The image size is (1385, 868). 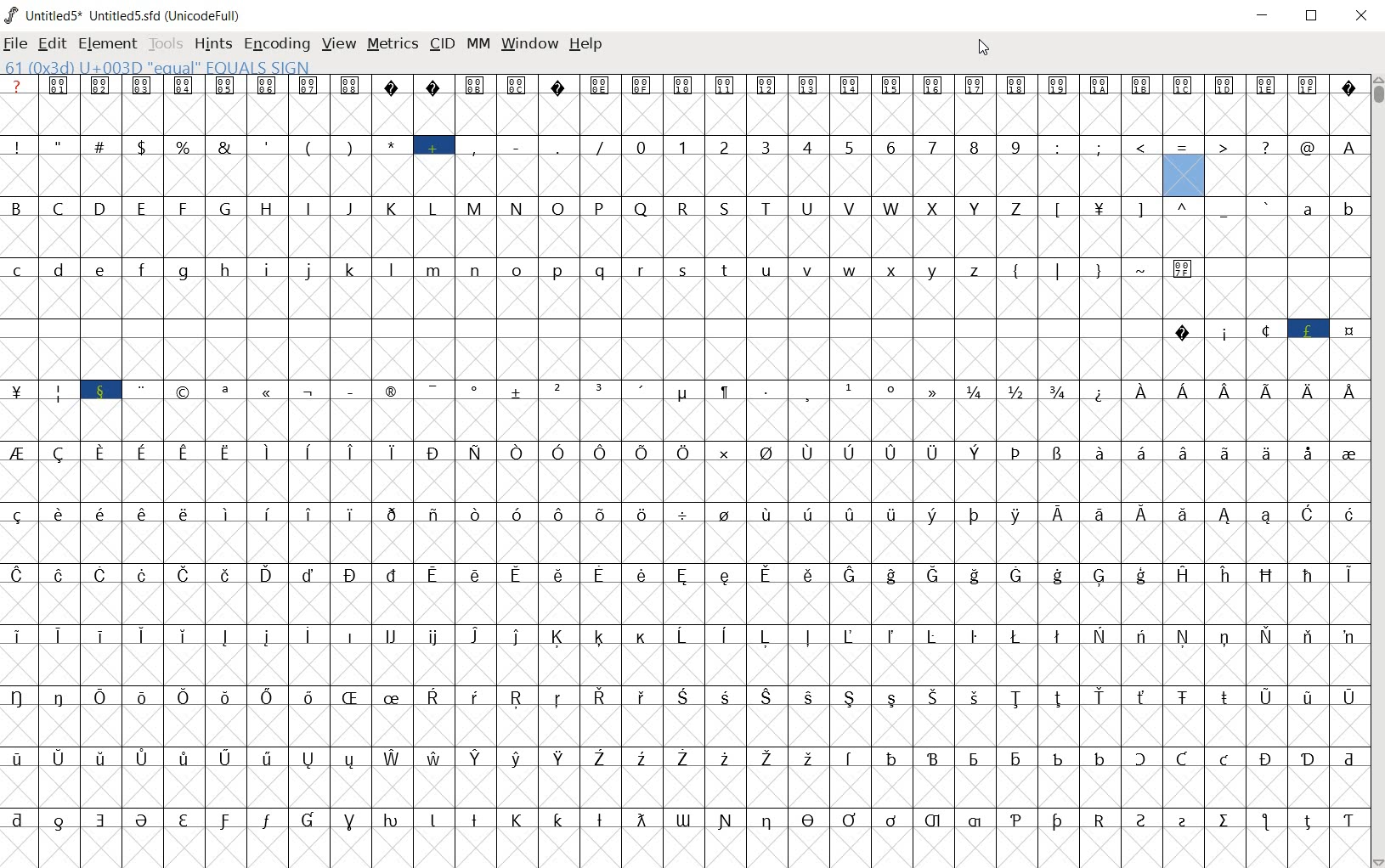 I want to click on restore down, so click(x=1310, y=17).